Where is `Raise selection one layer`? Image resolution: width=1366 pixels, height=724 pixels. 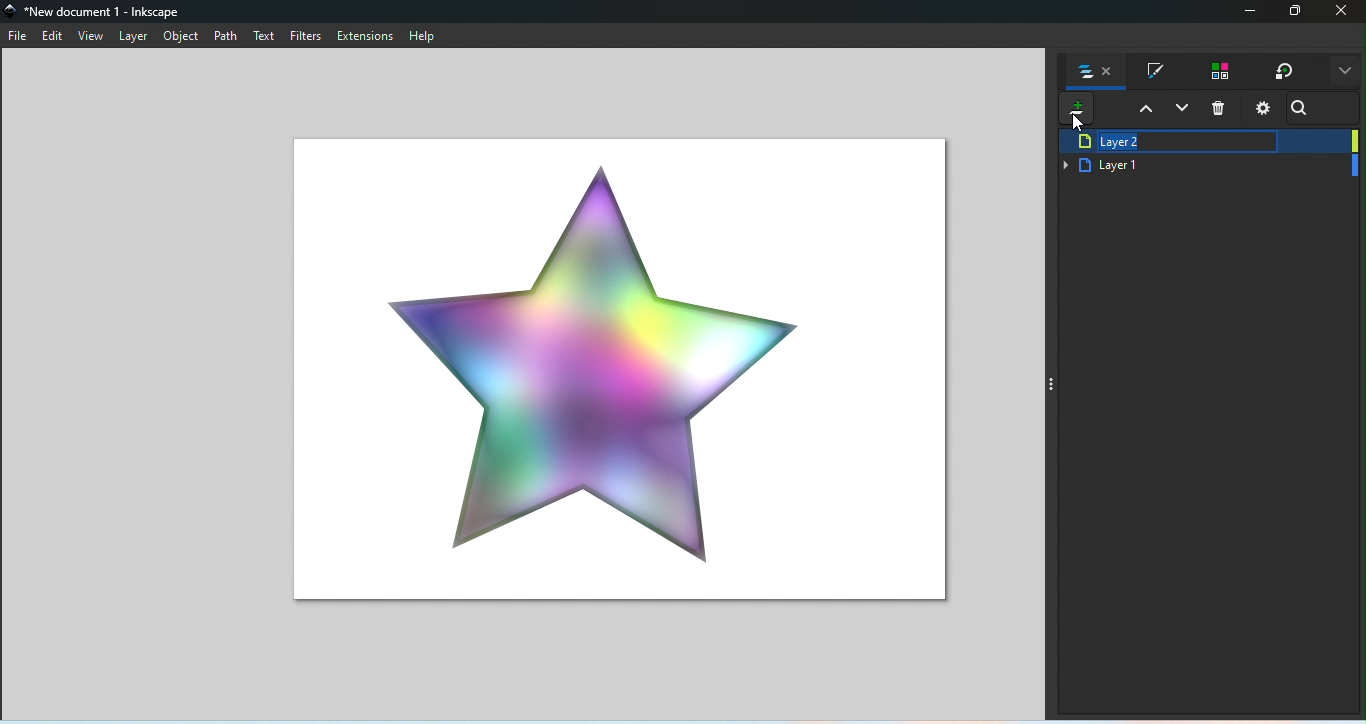
Raise selection one layer is located at coordinates (1144, 111).